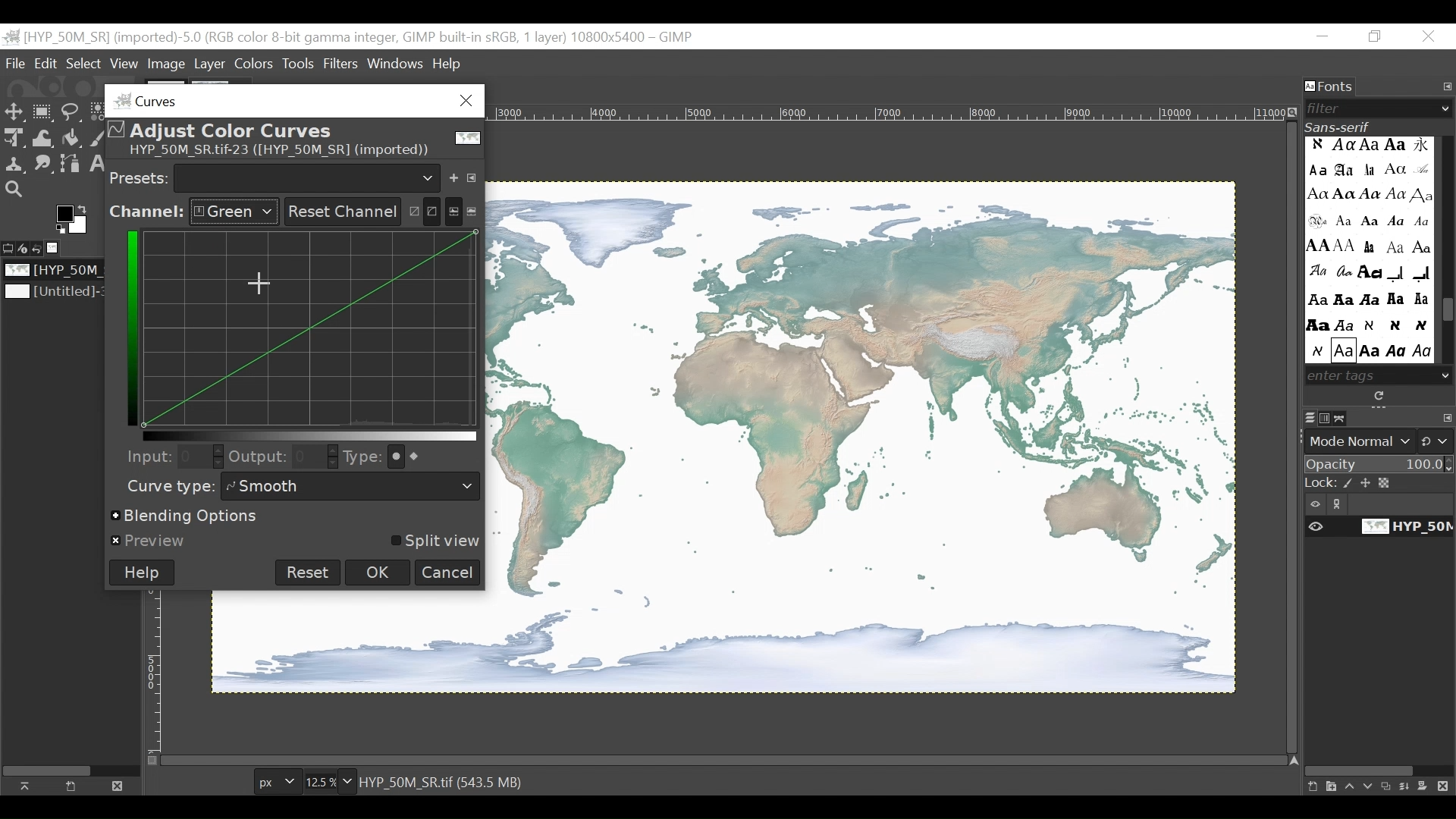 This screenshot has height=819, width=1456. Describe the element at coordinates (353, 487) in the screenshot. I see `Smooth` at that location.